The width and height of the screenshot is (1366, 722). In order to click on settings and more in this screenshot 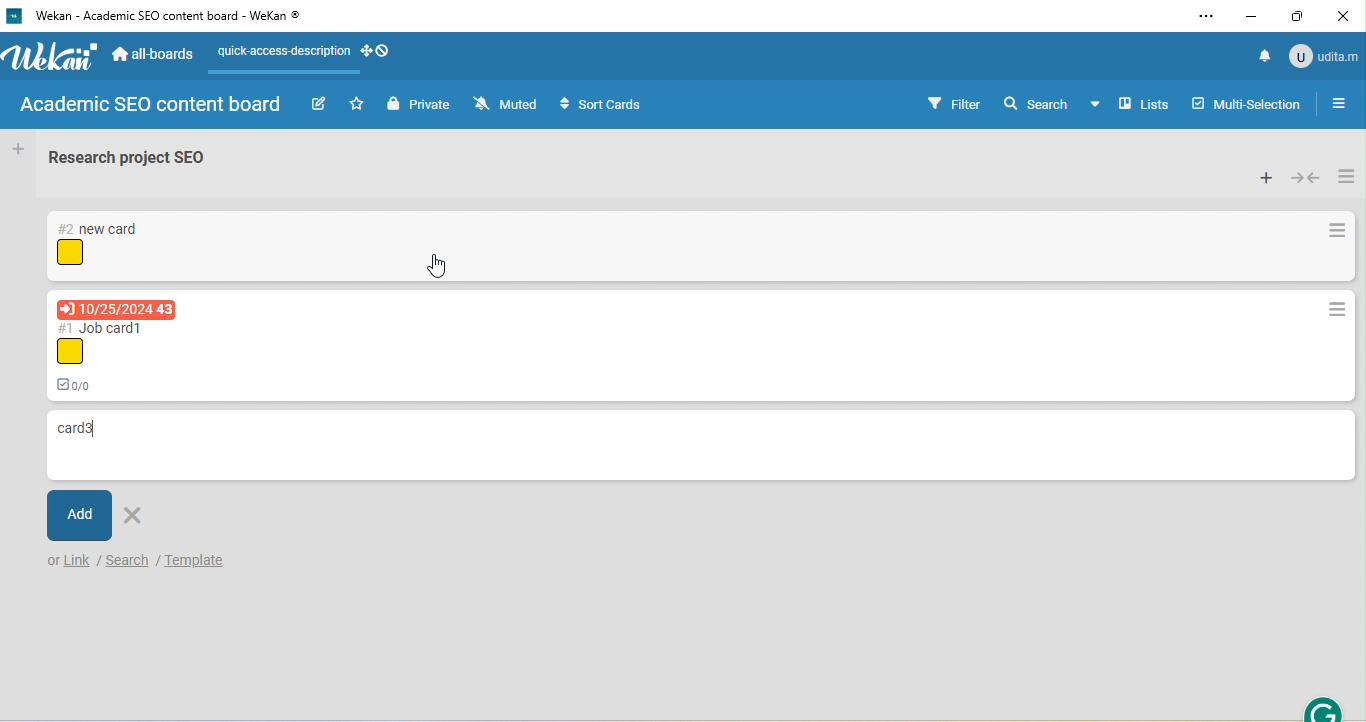, I will do `click(1205, 17)`.